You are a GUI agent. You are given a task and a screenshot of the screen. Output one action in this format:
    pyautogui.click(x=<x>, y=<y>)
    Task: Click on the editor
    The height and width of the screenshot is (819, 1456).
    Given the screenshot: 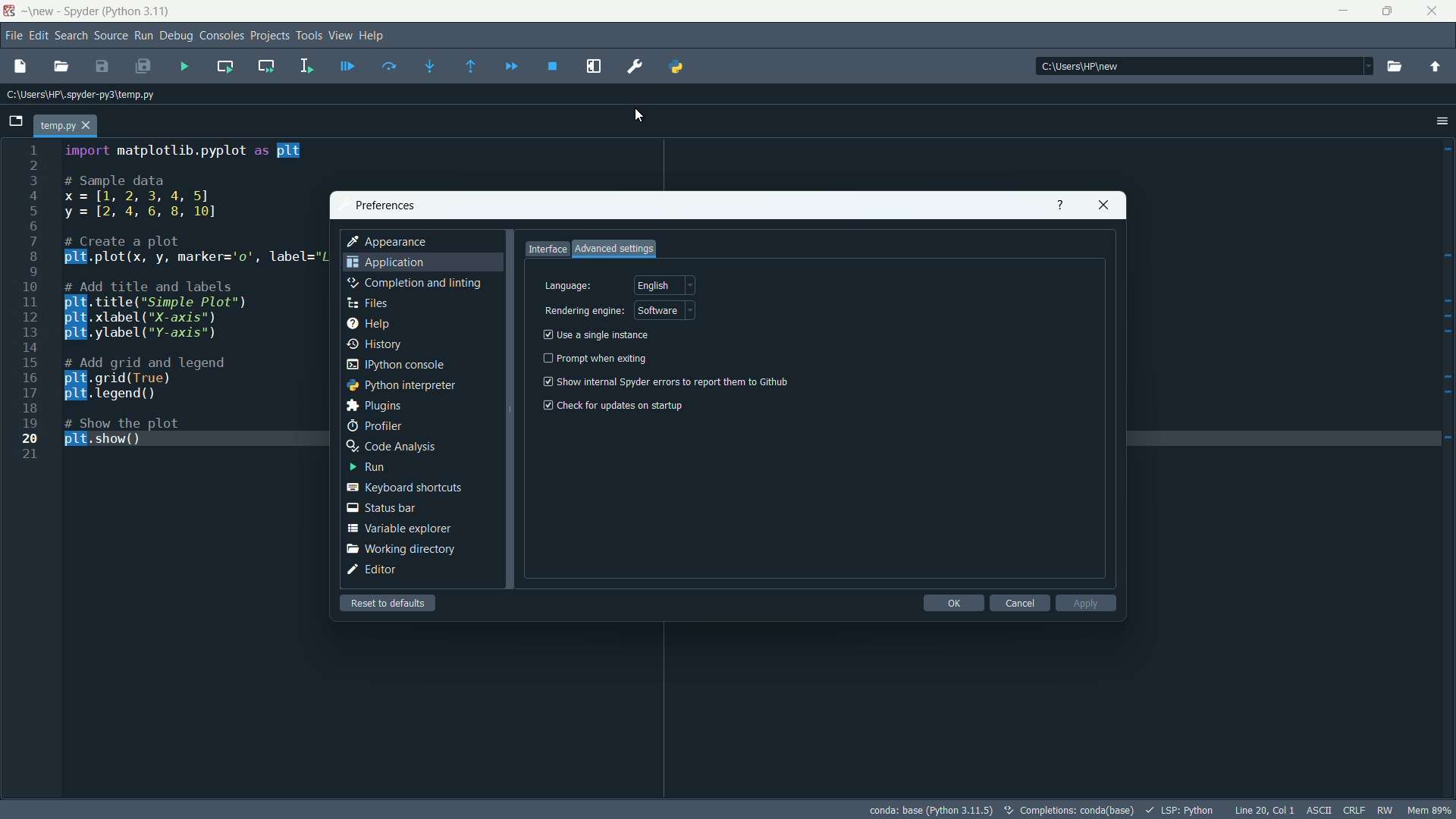 What is the action you would take?
    pyautogui.click(x=372, y=570)
    